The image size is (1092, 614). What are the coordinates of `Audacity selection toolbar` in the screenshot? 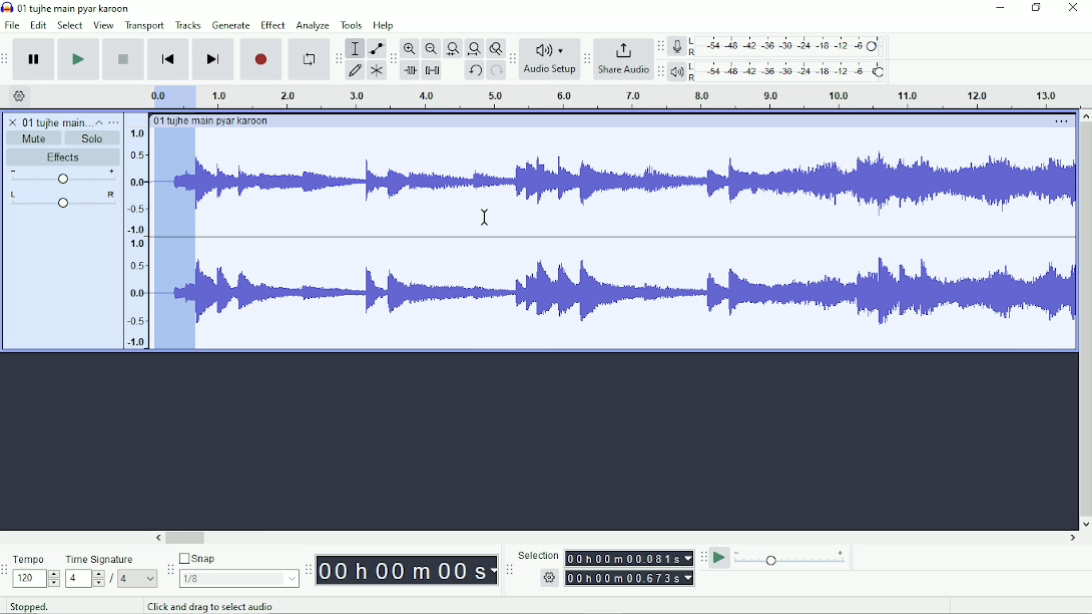 It's located at (507, 570).